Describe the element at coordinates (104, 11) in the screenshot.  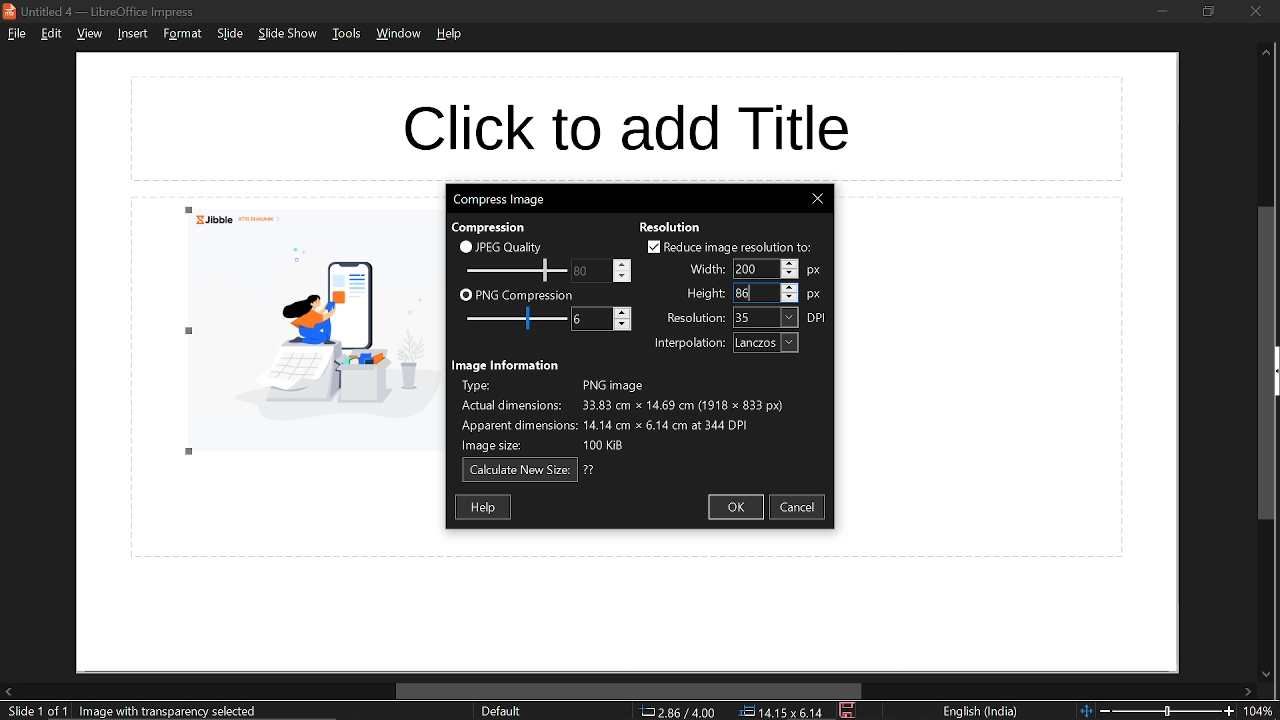
I see `current window` at that location.